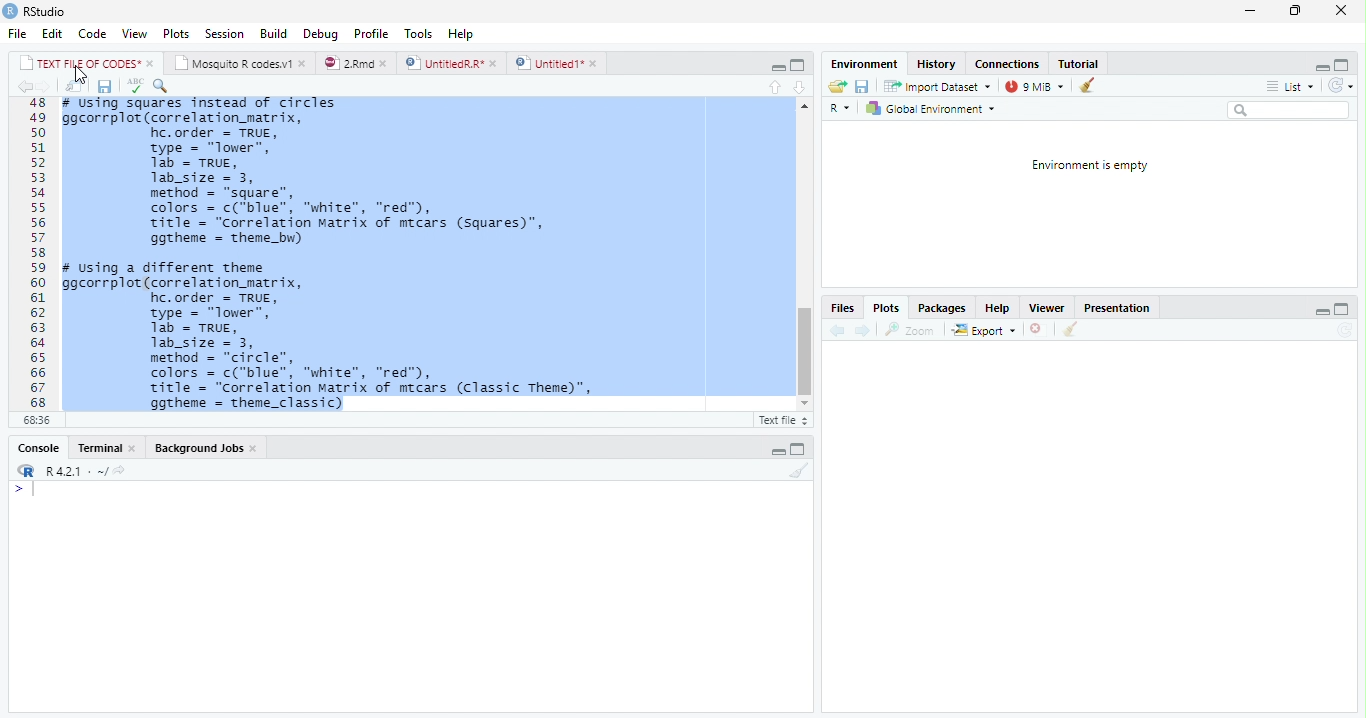  Describe the element at coordinates (135, 86) in the screenshot. I see `spelling` at that location.